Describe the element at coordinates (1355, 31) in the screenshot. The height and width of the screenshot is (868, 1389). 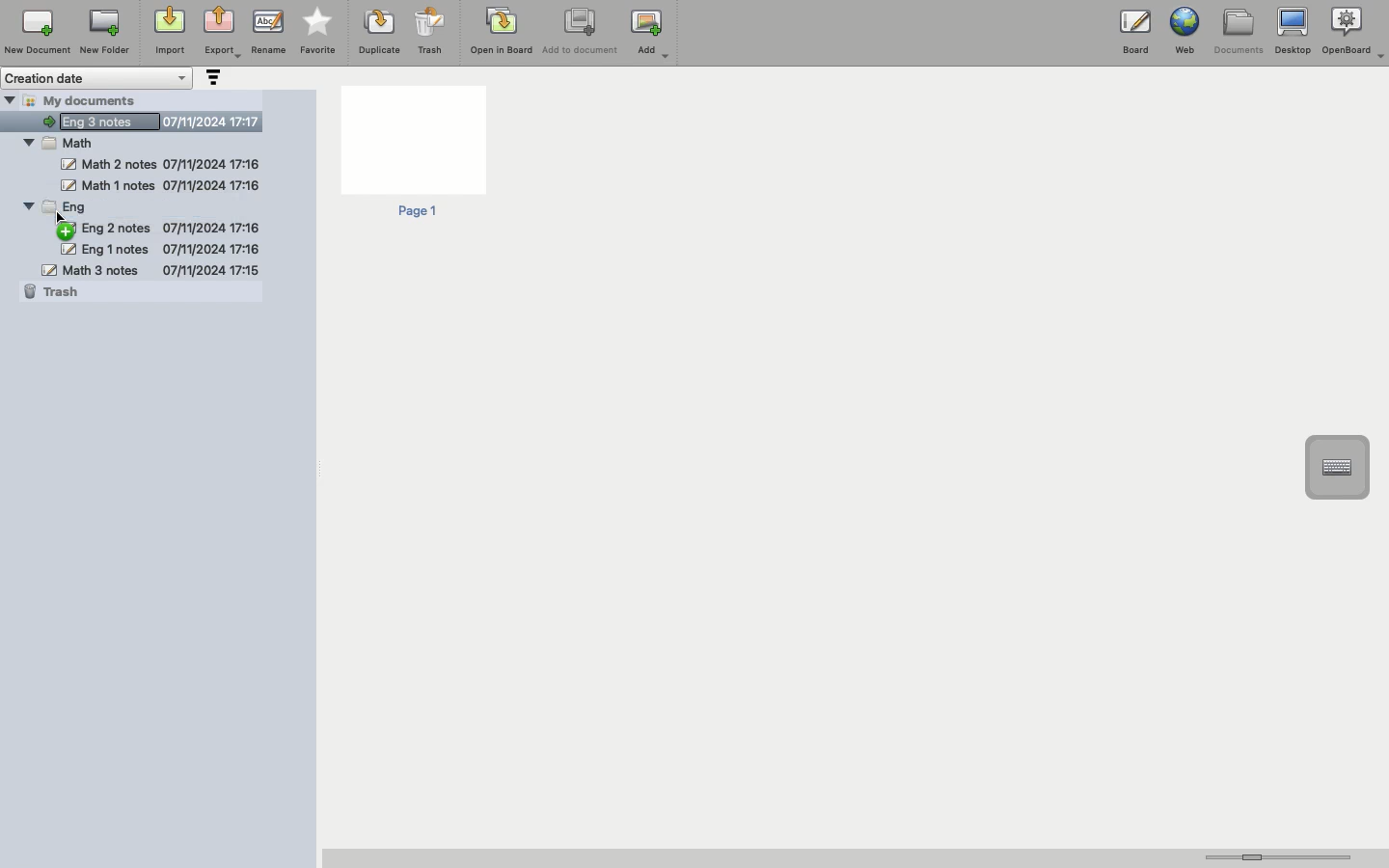
I see `OpenBoard` at that location.